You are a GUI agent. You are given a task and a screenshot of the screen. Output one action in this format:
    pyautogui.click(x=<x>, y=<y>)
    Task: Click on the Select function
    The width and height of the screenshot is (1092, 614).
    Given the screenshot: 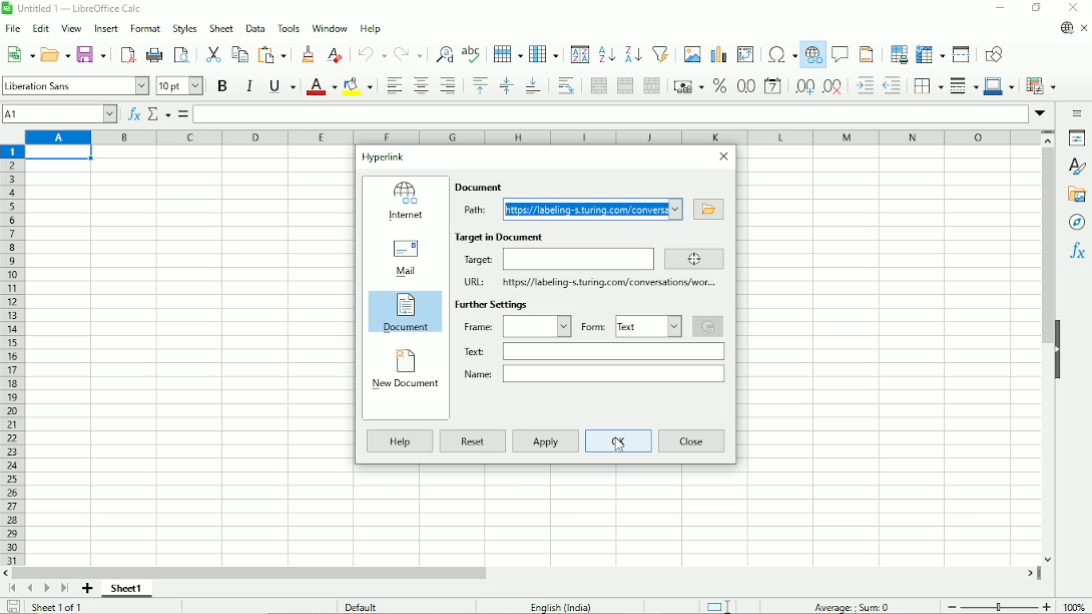 What is the action you would take?
    pyautogui.click(x=159, y=114)
    